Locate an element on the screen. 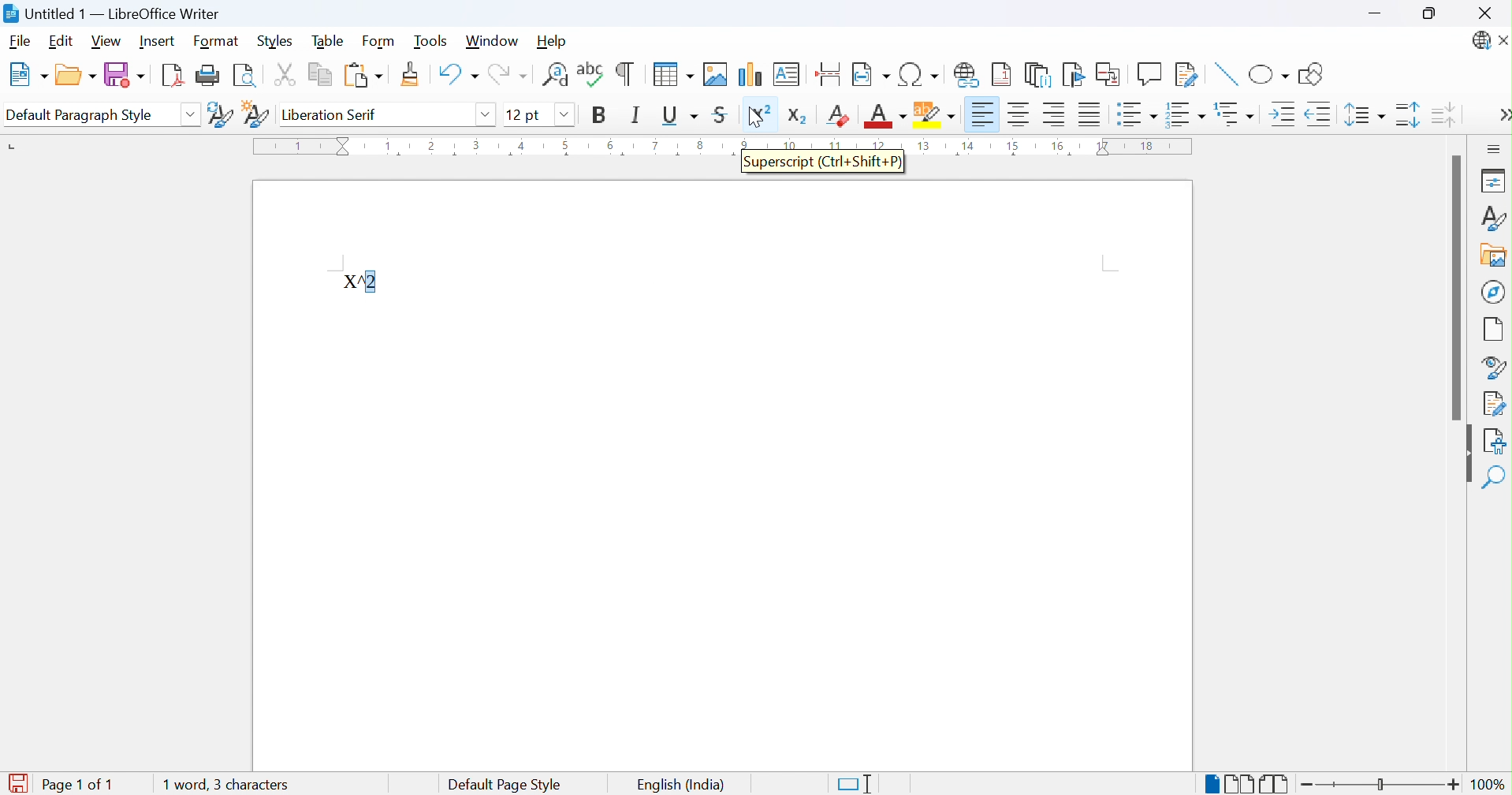 This screenshot has width=1512, height=795. Character highlighting color is located at coordinates (936, 116).